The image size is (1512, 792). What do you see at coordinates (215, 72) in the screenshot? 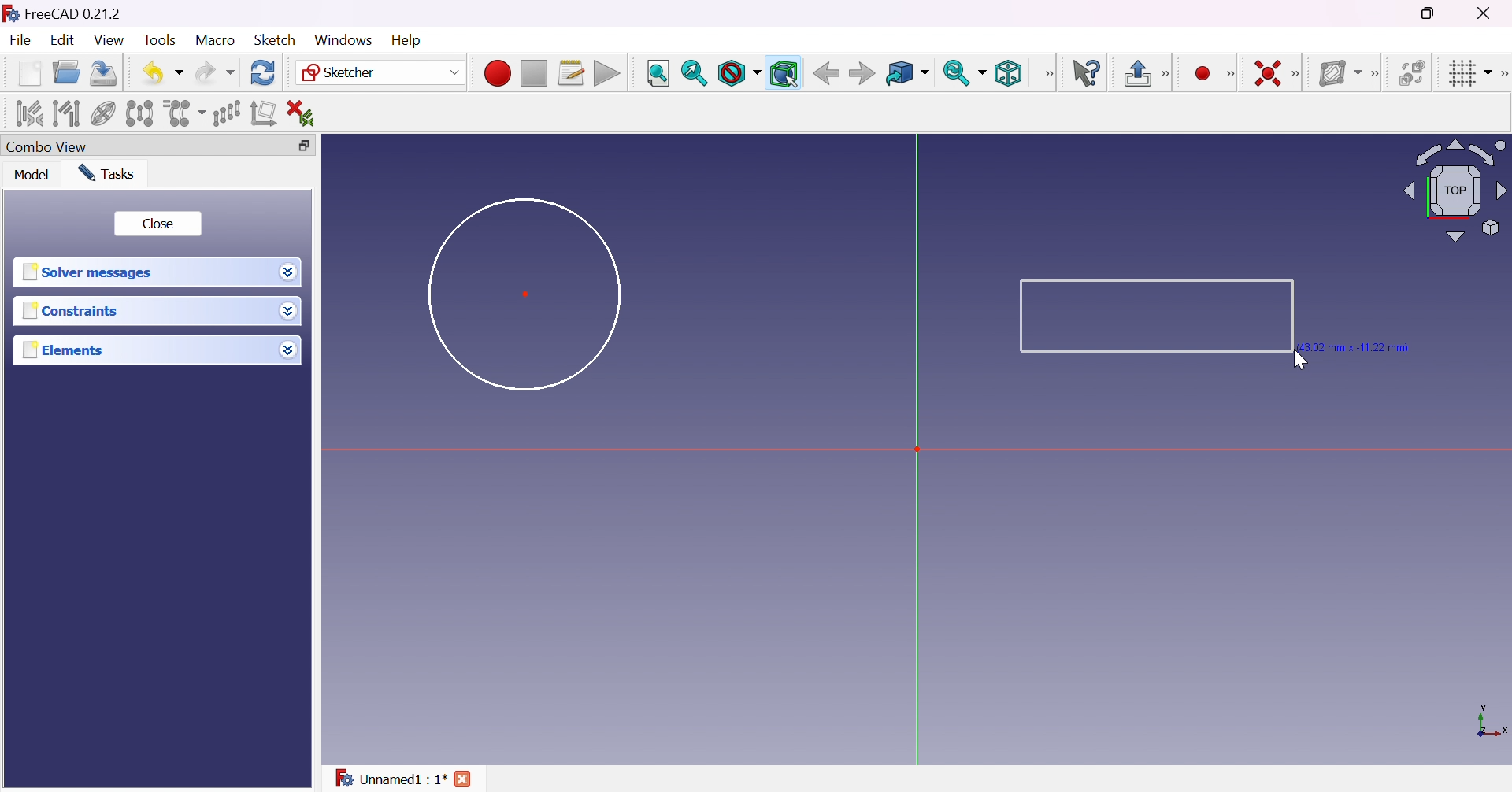
I see `Redo` at bounding box center [215, 72].